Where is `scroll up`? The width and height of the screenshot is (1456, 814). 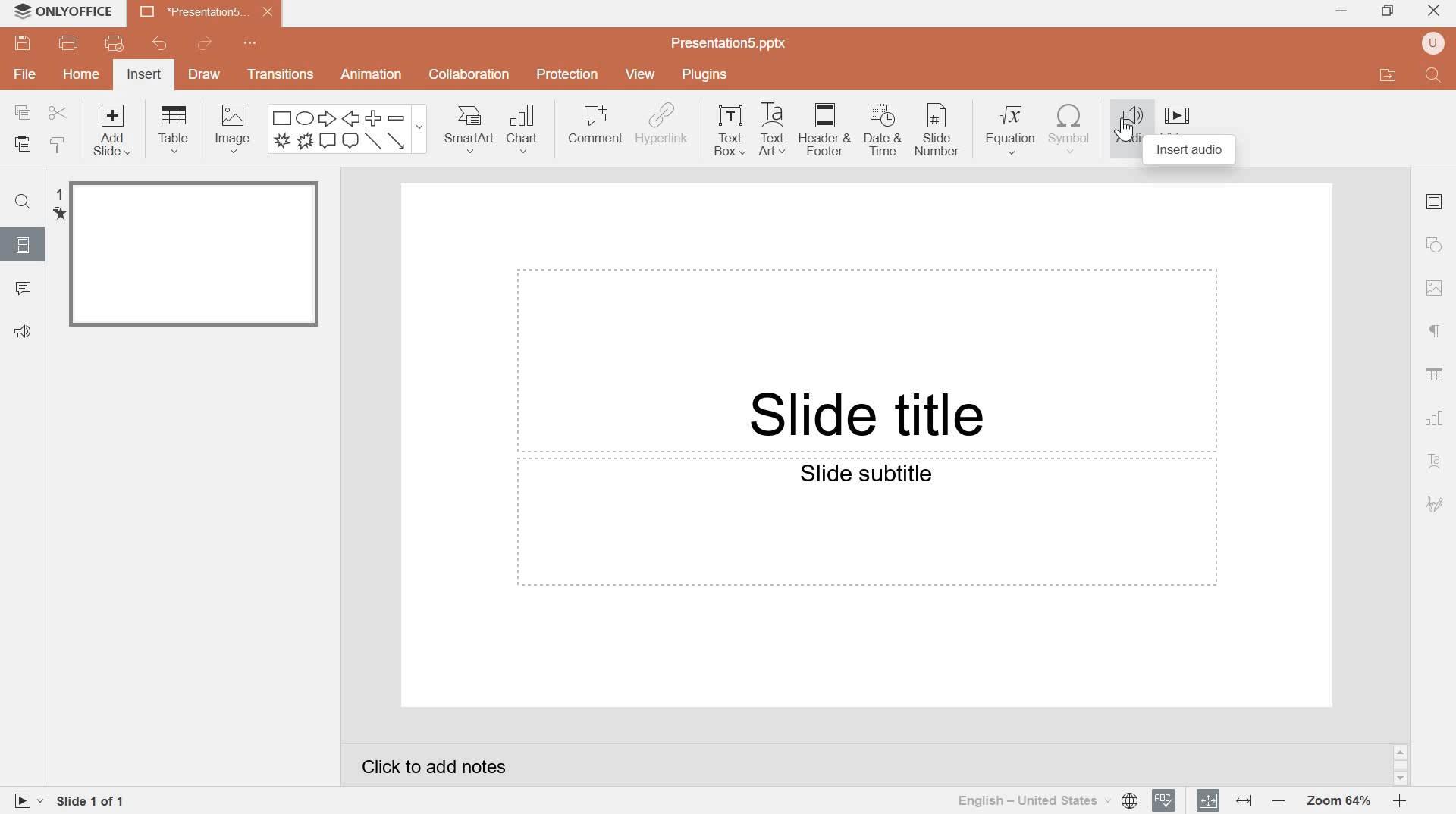 scroll up is located at coordinates (1401, 752).